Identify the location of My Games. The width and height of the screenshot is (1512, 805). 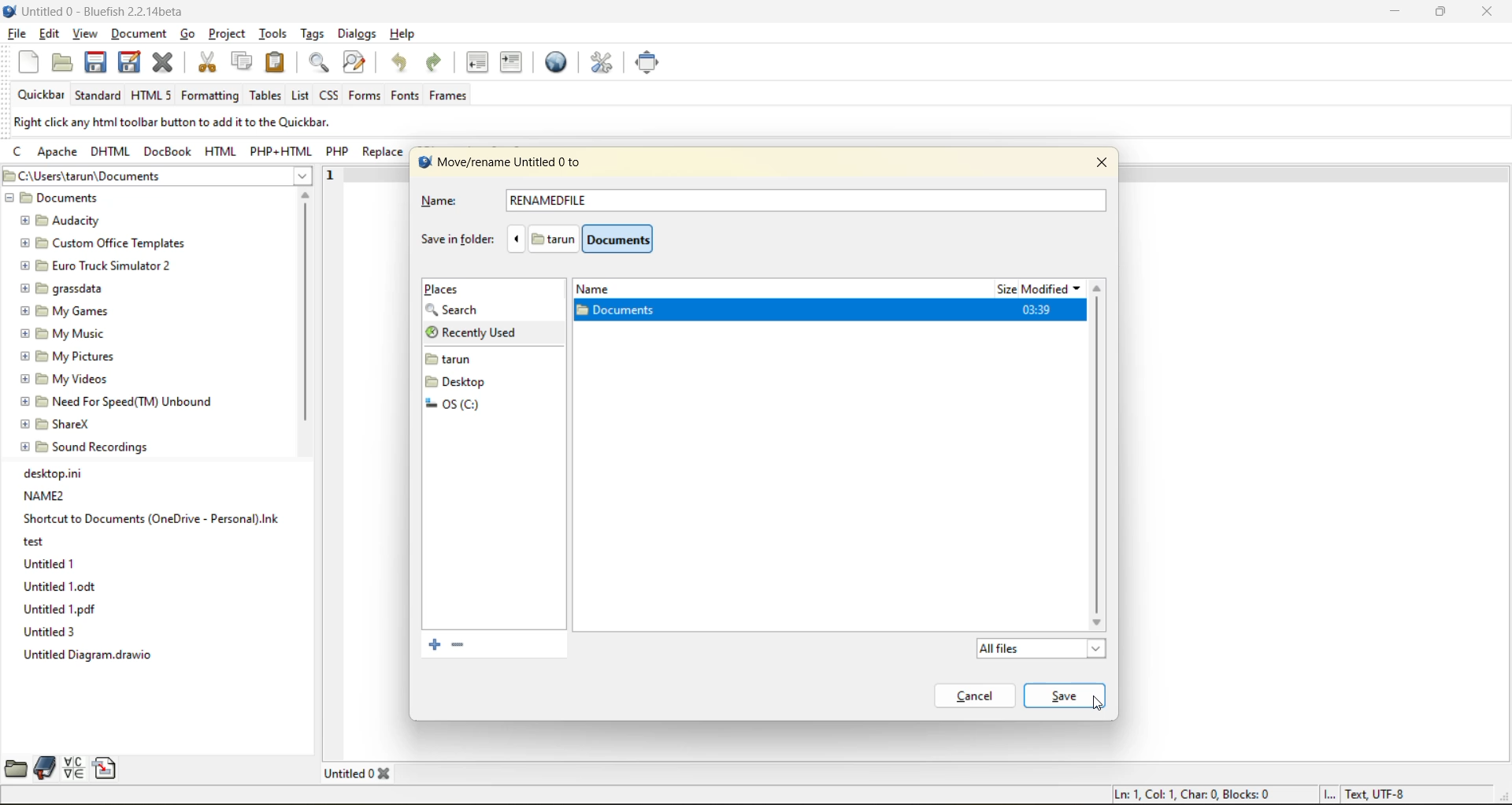
(68, 310).